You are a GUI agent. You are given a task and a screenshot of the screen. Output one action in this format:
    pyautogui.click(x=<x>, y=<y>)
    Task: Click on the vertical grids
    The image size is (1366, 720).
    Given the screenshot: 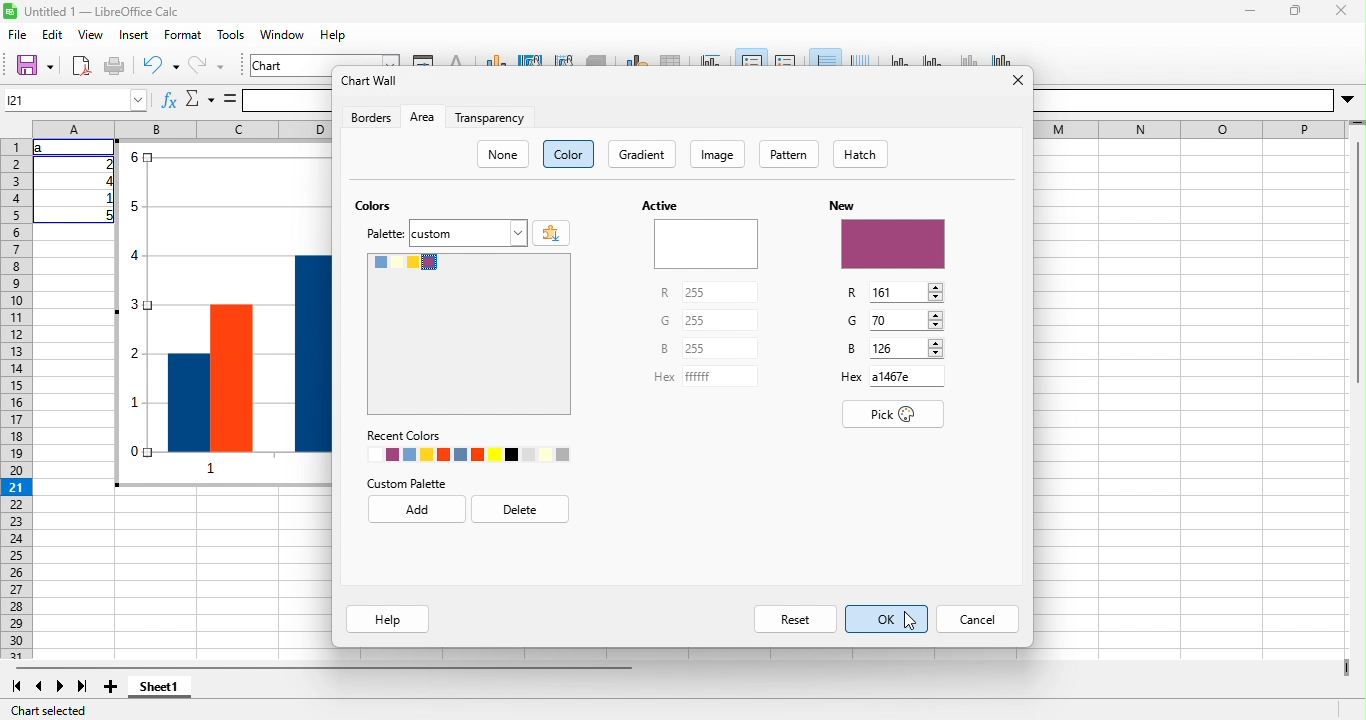 What is the action you would take?
    pyautogui.click(x=860, y=58)
    